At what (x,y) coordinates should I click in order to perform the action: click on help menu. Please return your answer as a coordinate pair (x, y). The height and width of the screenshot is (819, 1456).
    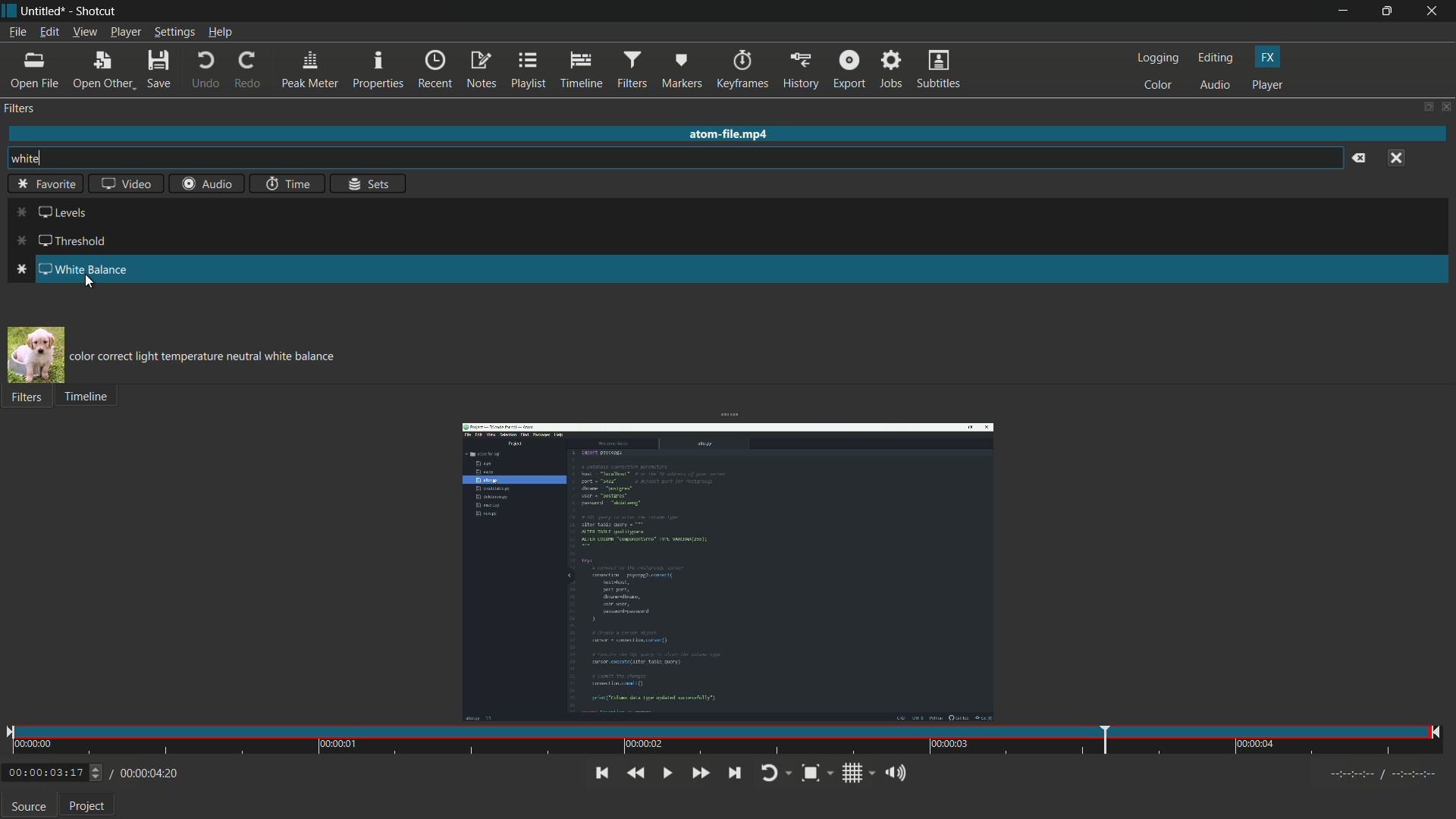
    Looking at the image, I should click on (220, 32).